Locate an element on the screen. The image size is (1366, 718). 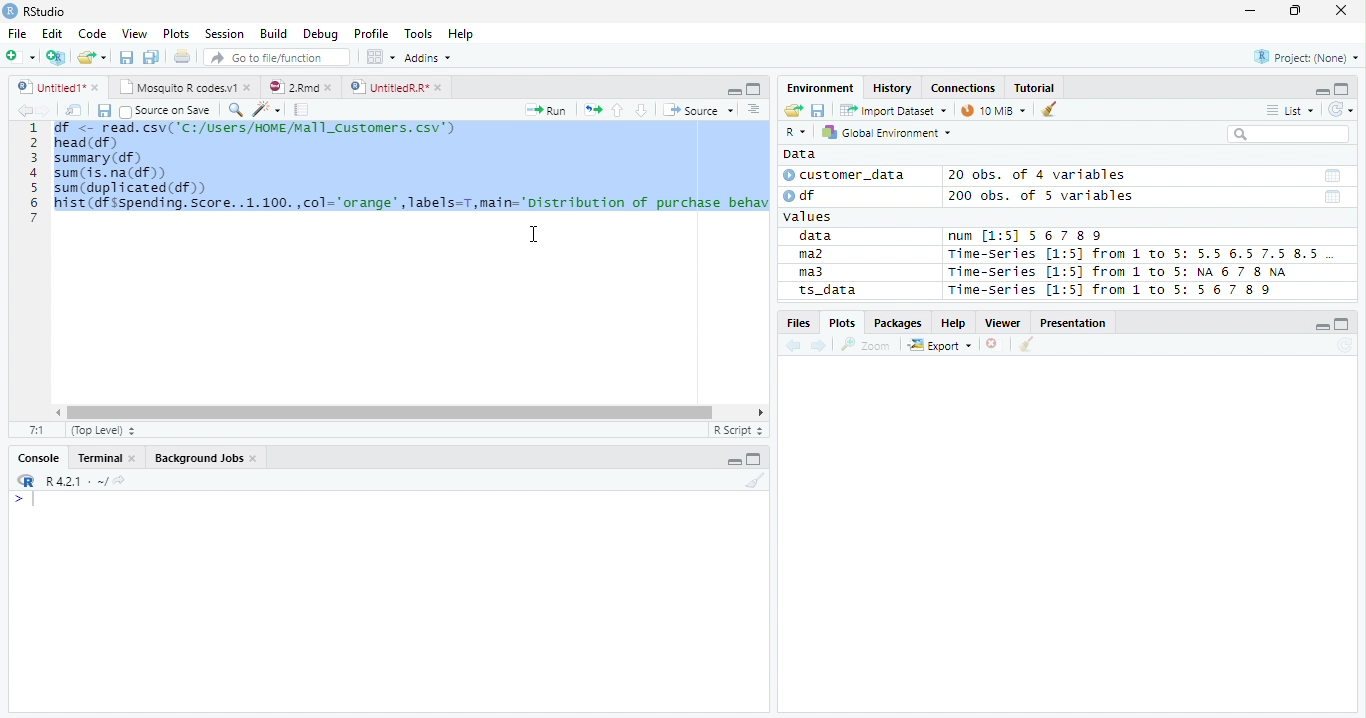
Minimize is located at coordinates (735, 459).